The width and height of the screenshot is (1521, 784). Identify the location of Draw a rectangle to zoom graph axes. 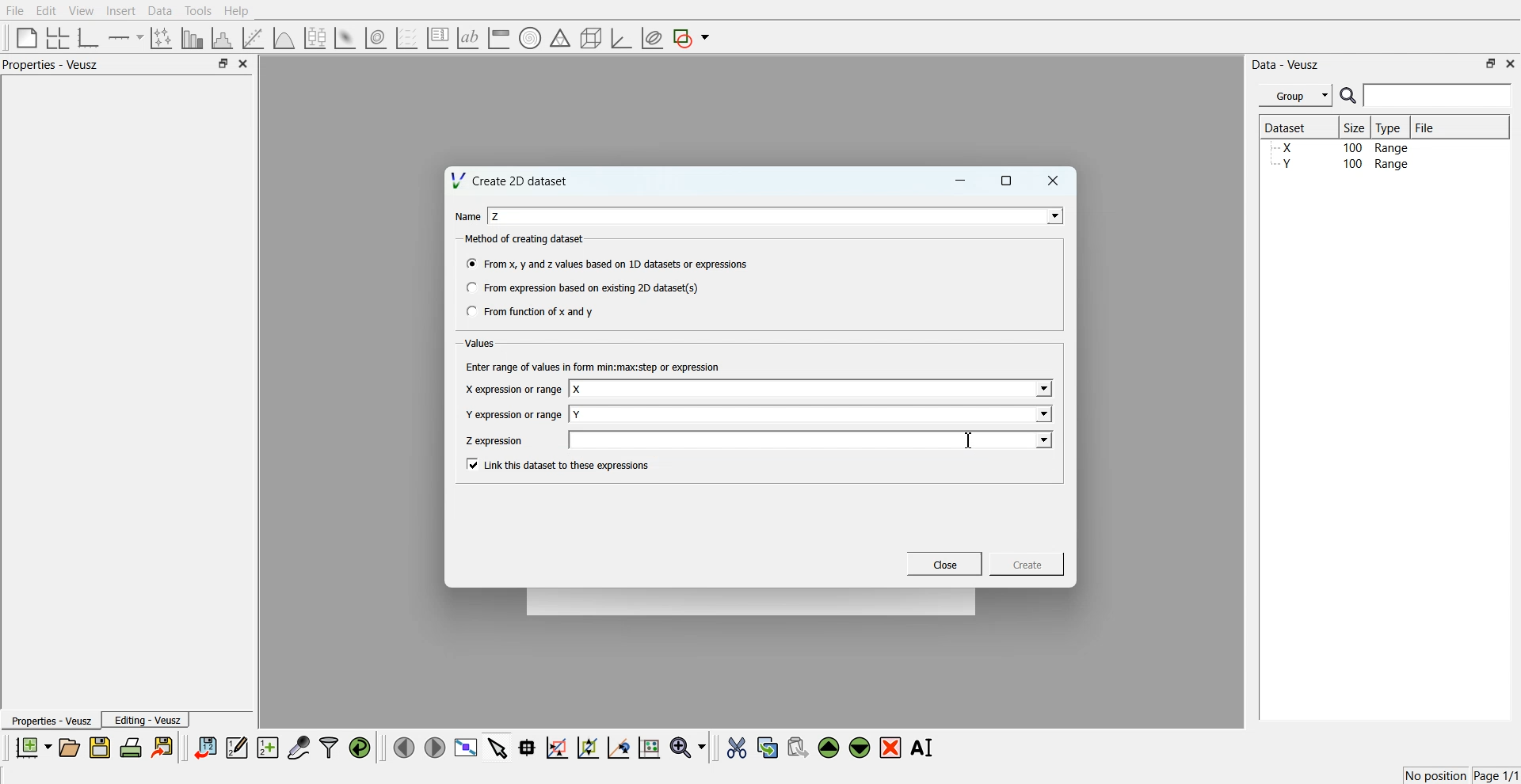
(556, 748).